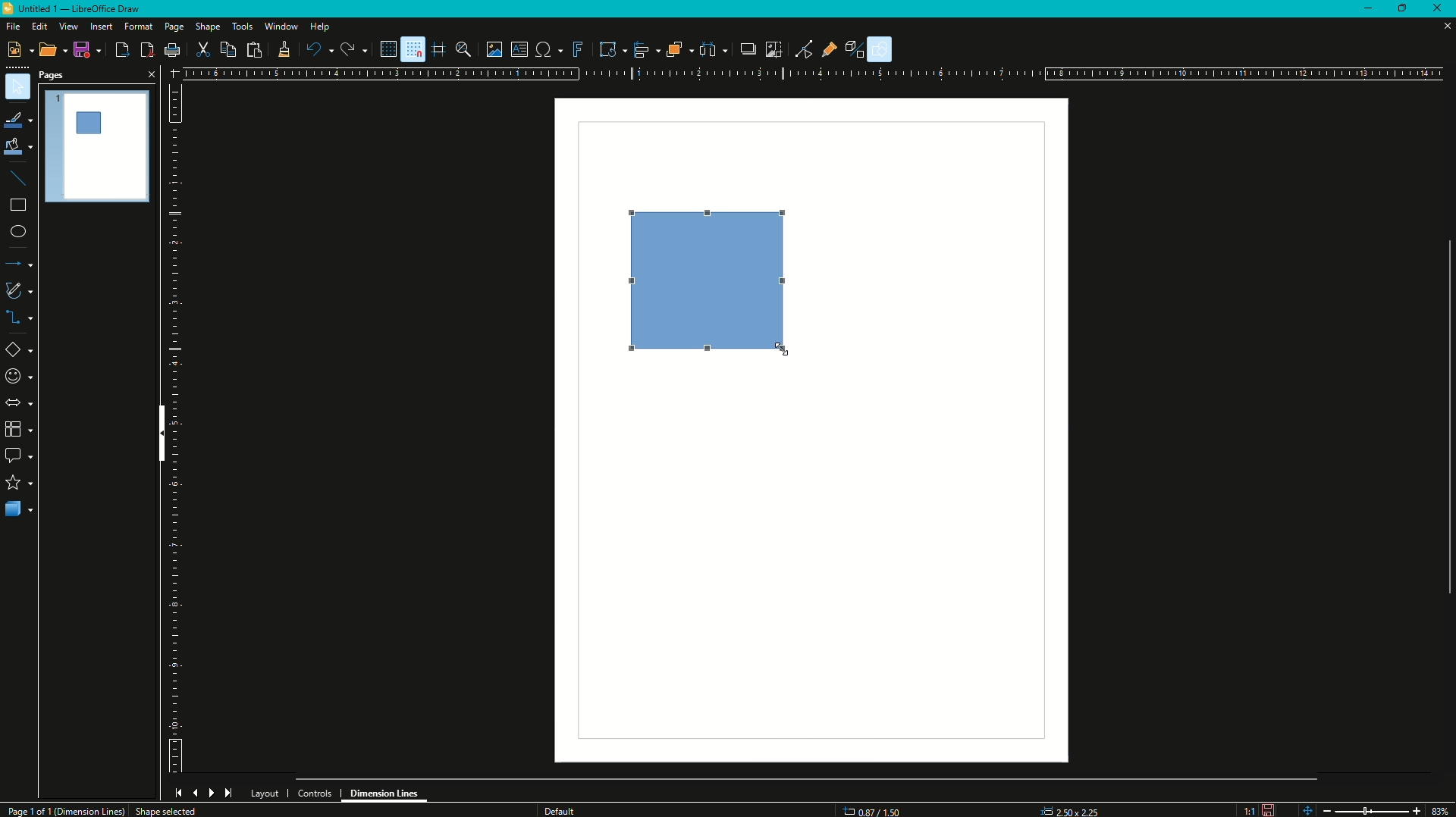  I want to click on Tools, so click(242, 26).